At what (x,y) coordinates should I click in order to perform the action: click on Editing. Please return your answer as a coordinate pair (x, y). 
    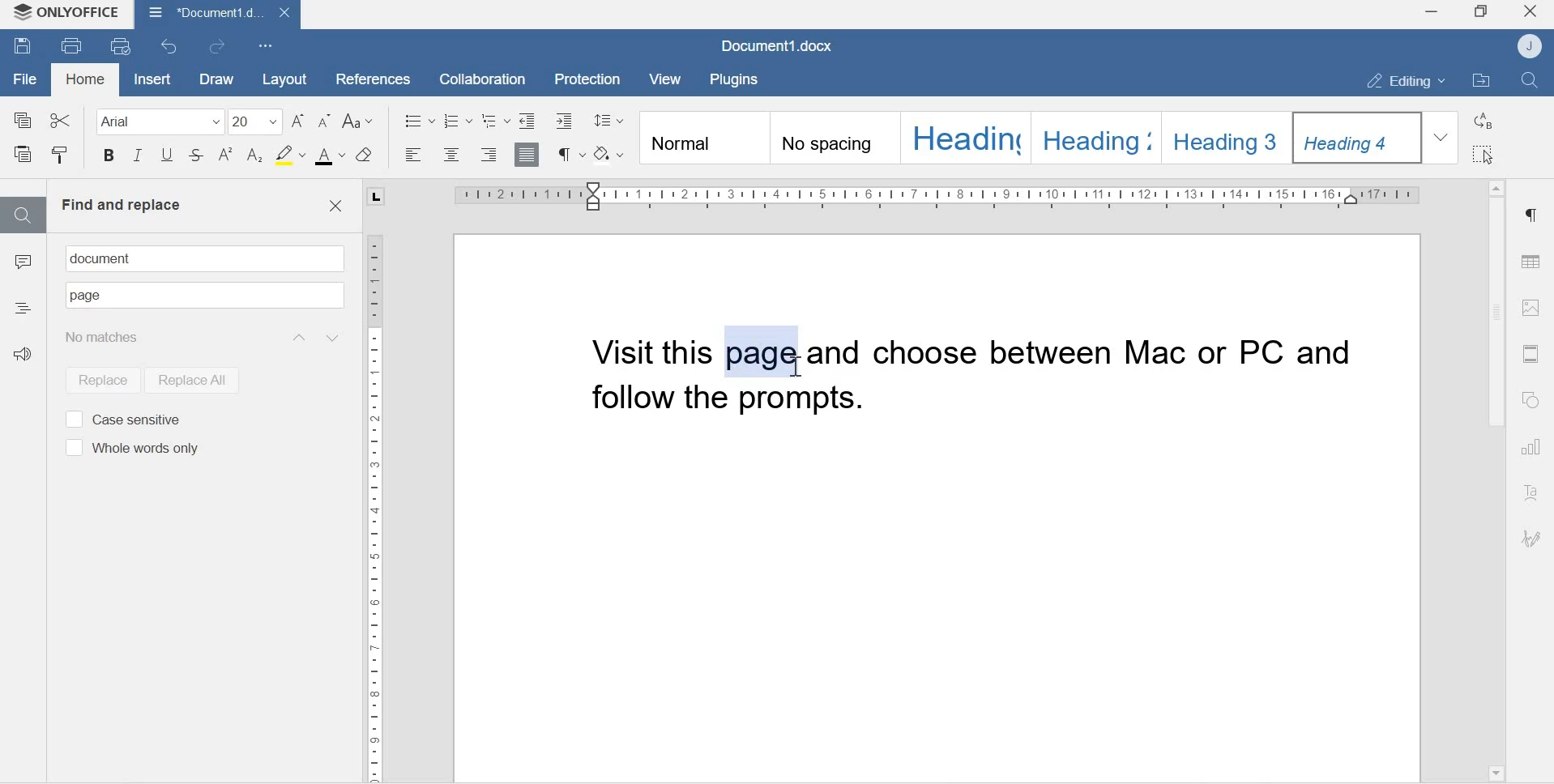
    Looking at the image, I should click on (1398, 80).